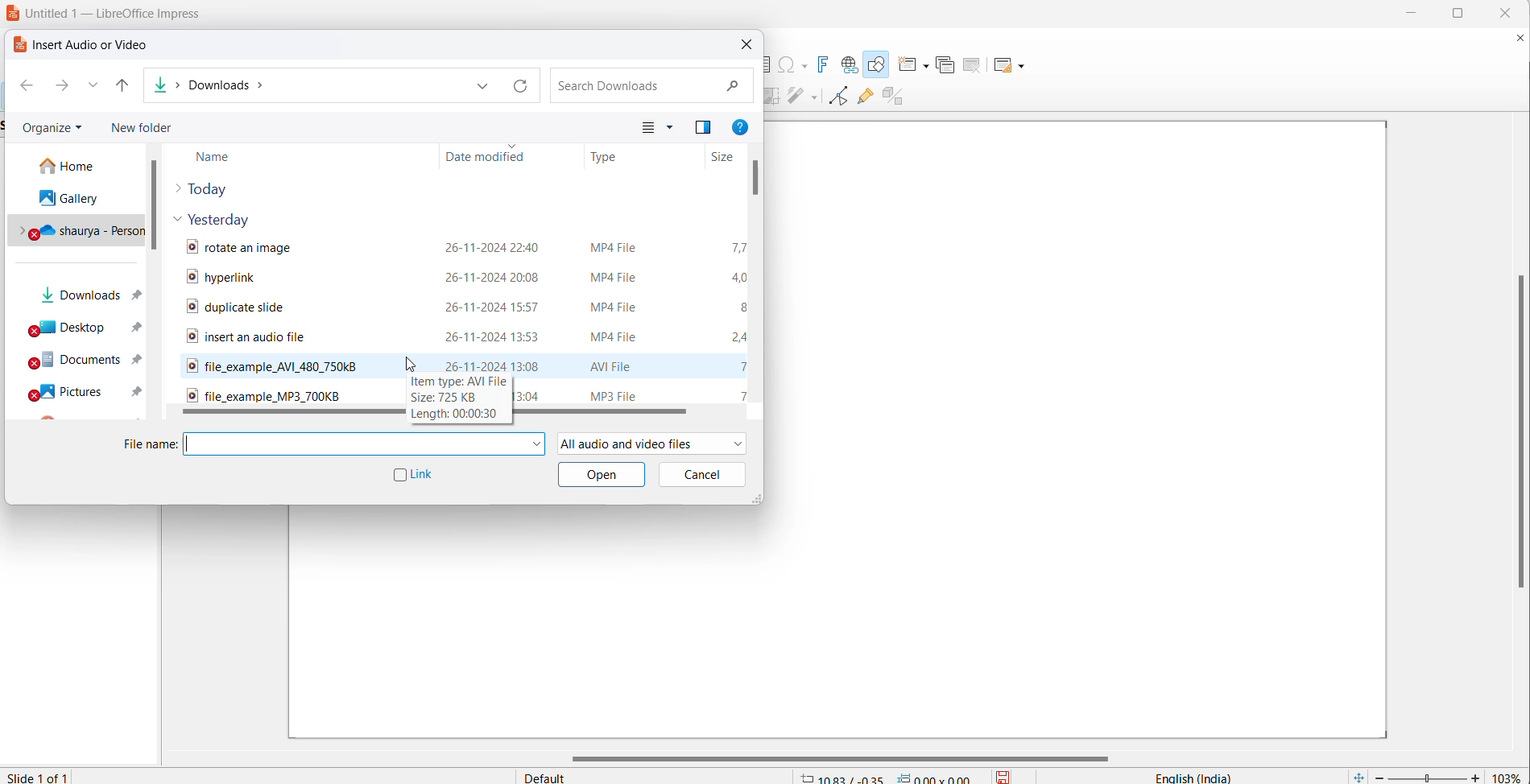 The height and width of the screenshot is (784, 1530). Describe the element at coordinates (404, 365) in the screenshot. I see `cursor` at that location.